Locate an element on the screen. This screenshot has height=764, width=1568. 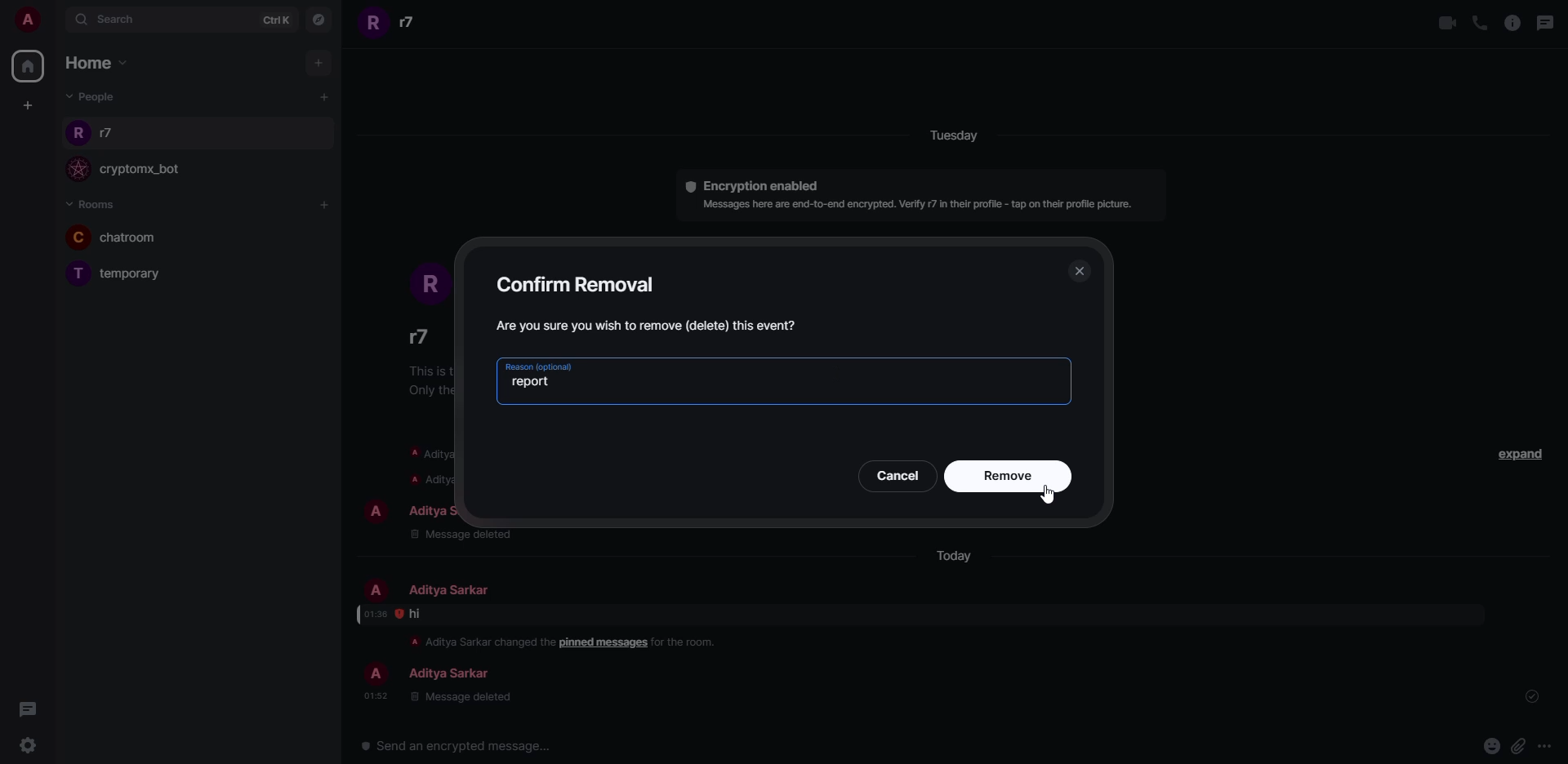
time is located at coordinates (375, 614).